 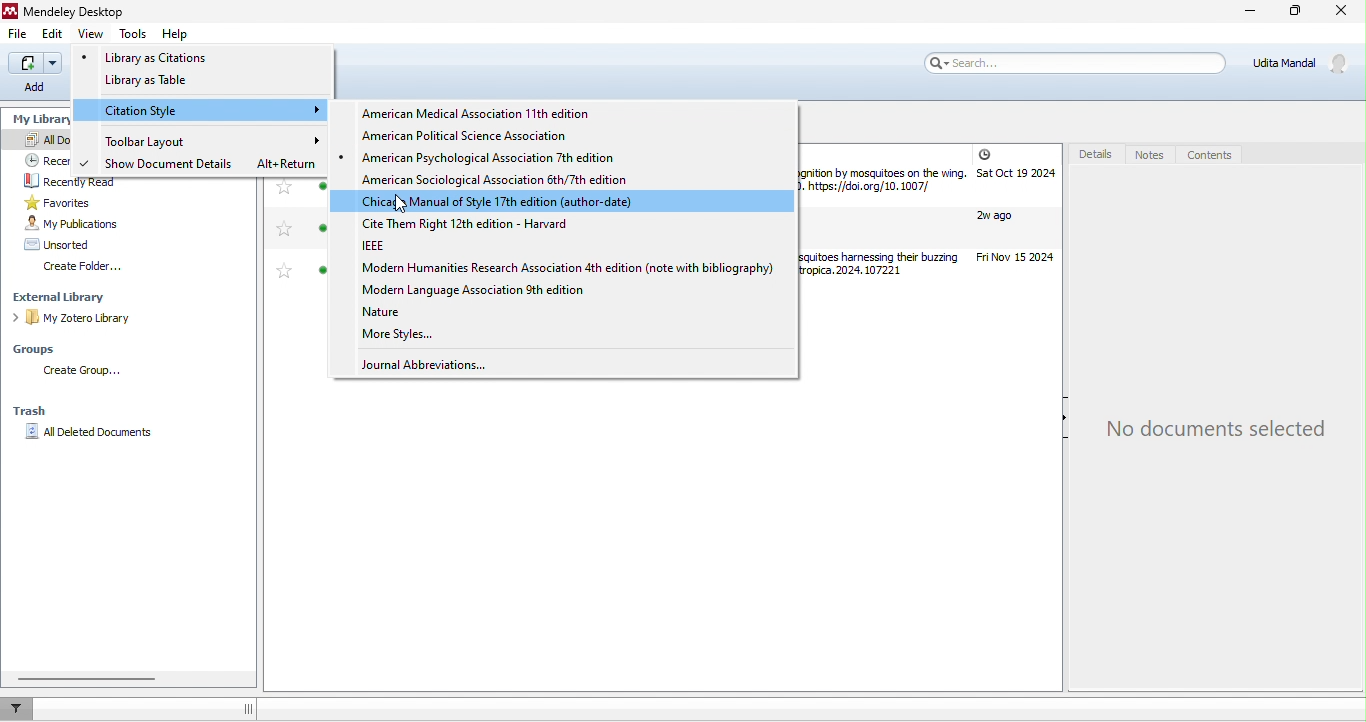 I want to click on journal year, so click(x=1015, y=220).